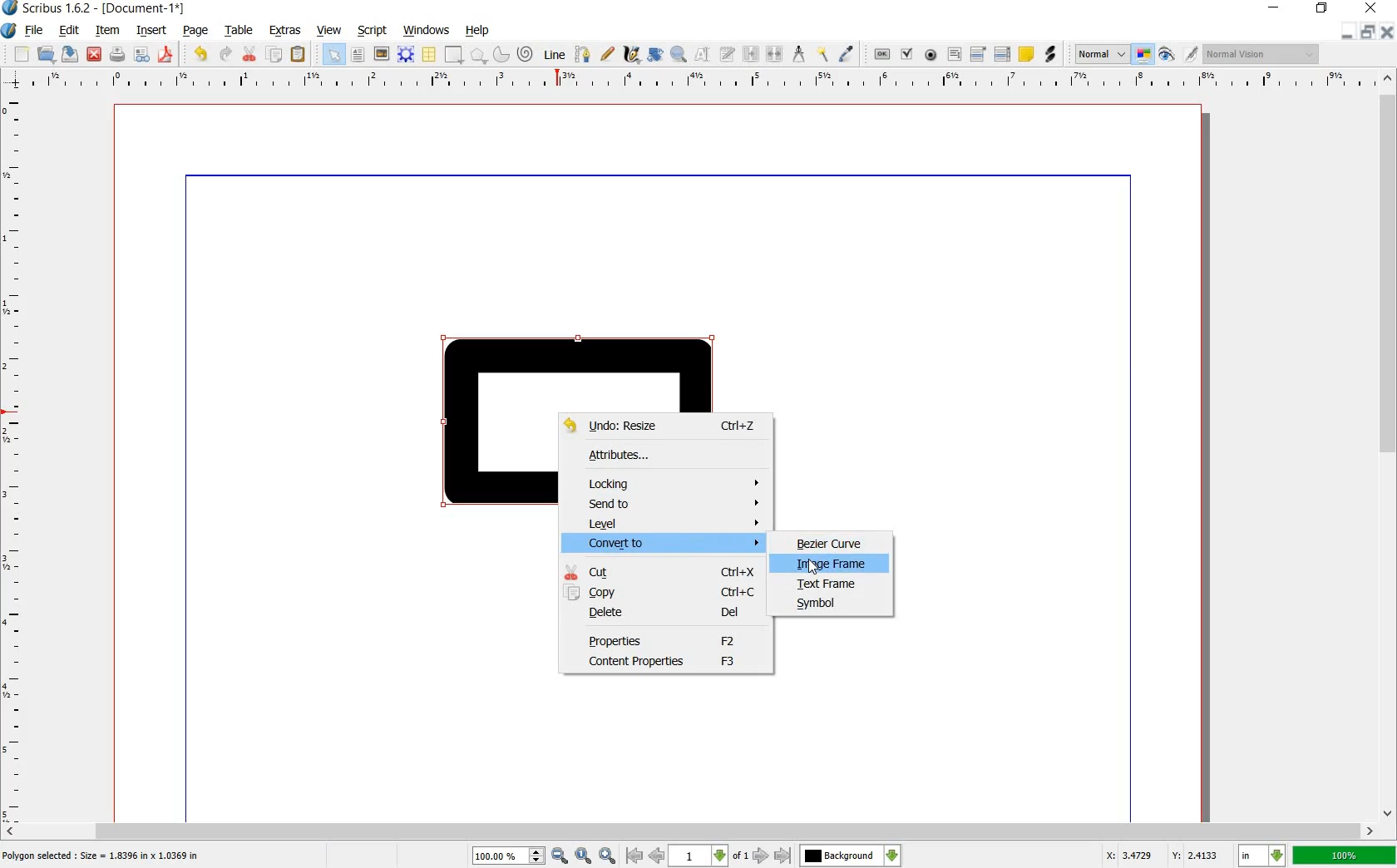 This screenshot has height=868, width=1397. I want to click on line, so click(554, 55).